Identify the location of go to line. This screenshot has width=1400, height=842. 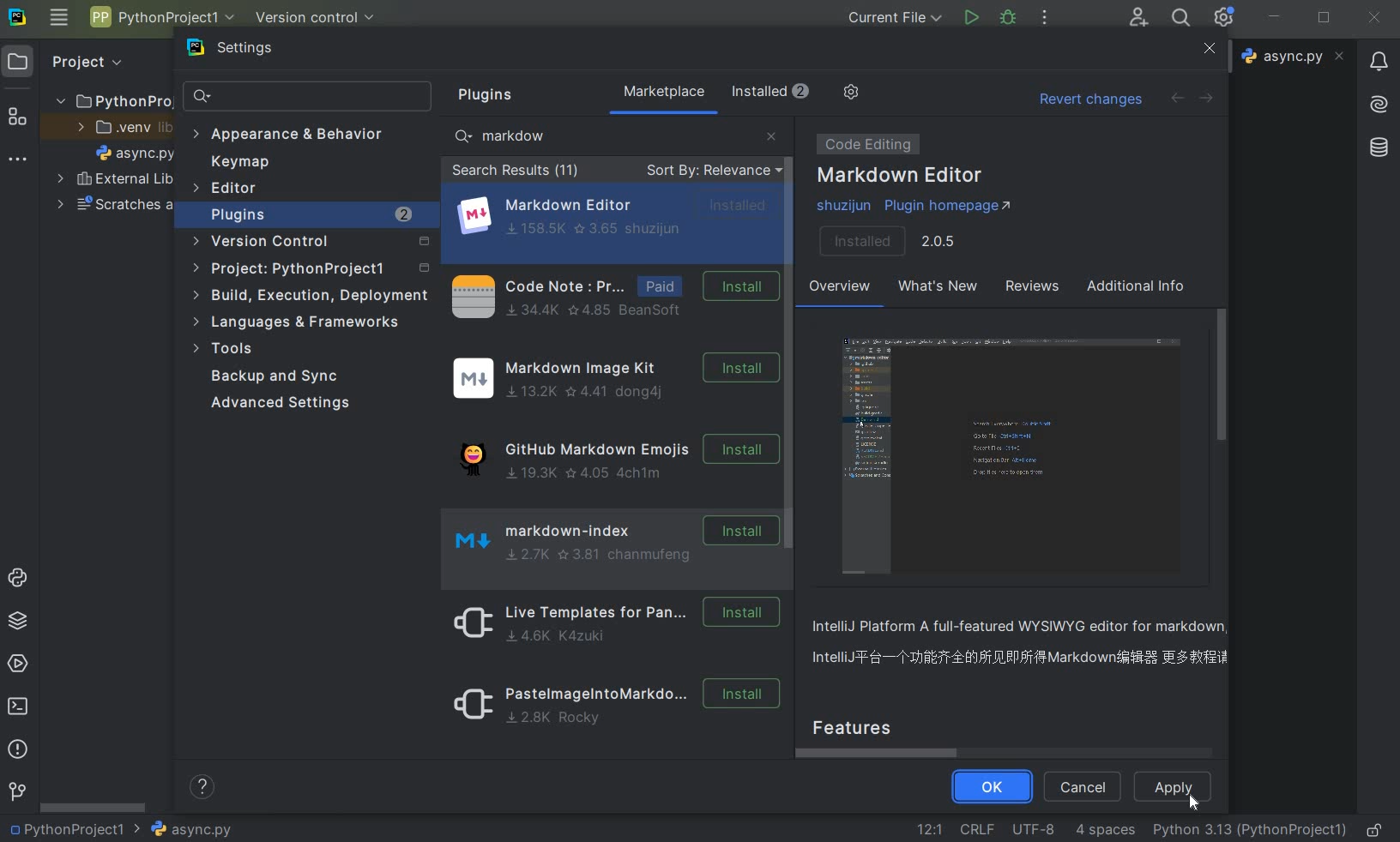
(930, 827).